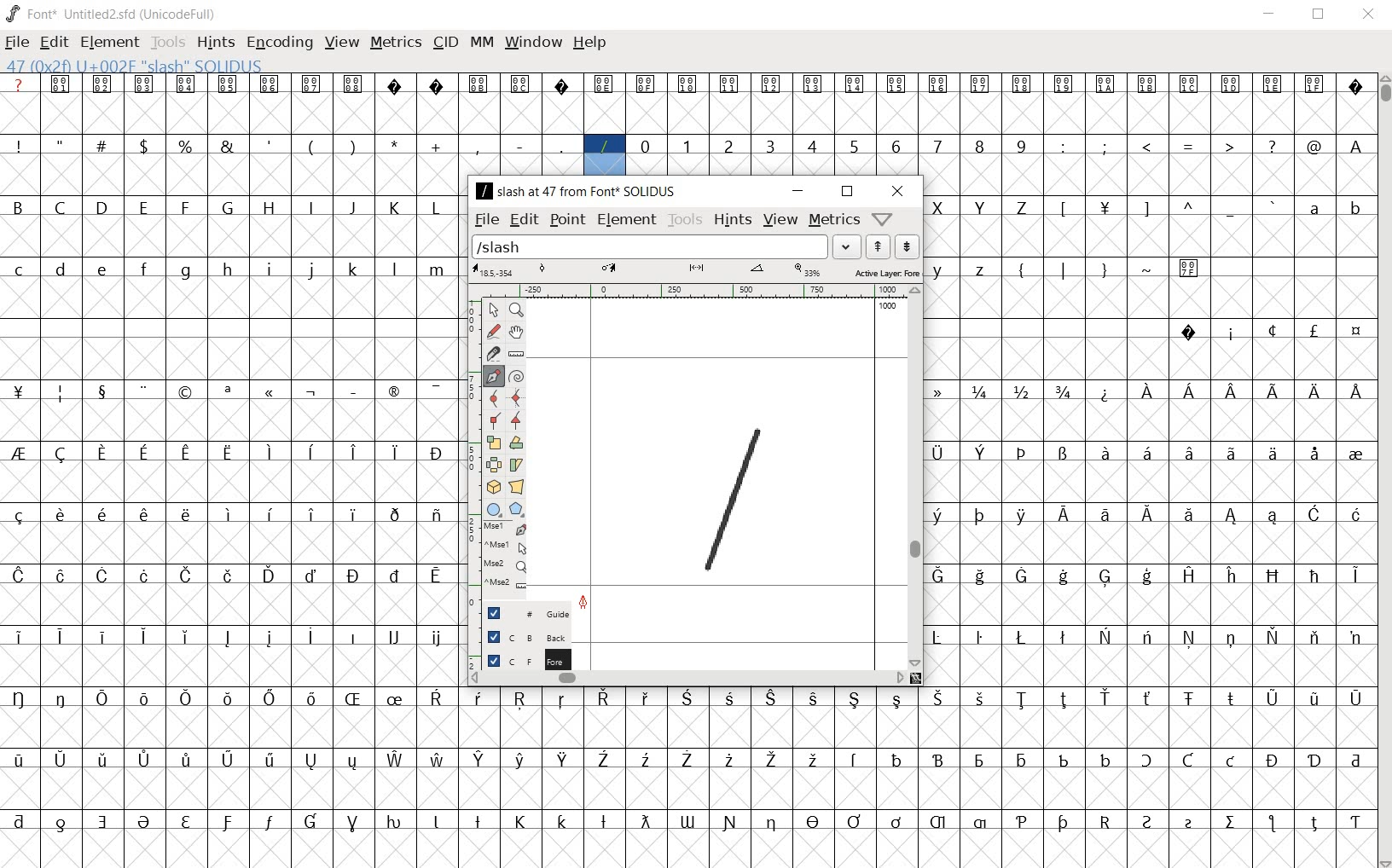  Describe the element at coordinates (1148, 451) in the screenshot. I see `special letters` at that location.